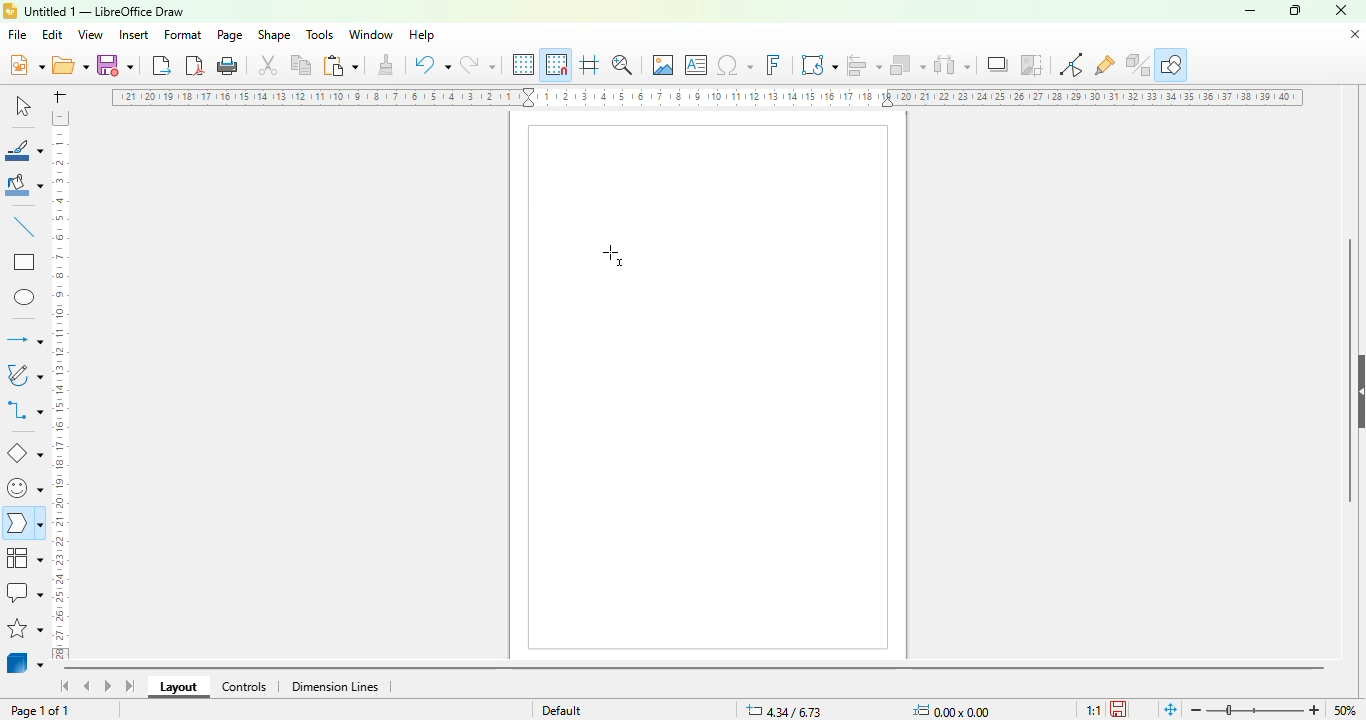  I want to click on file, so click(17, 34).